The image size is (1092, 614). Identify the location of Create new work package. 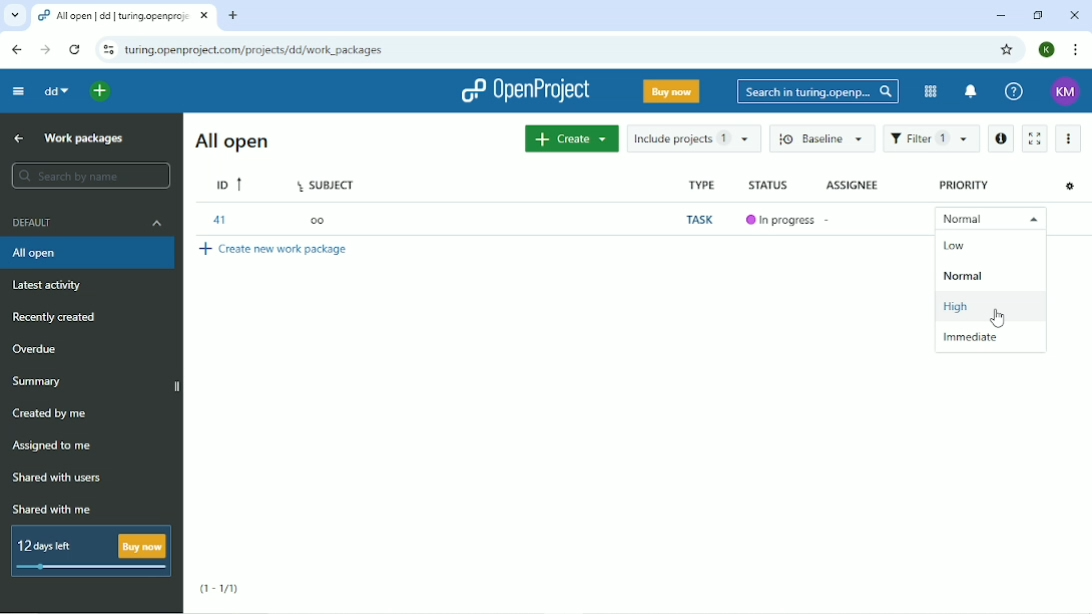
(278, 249).